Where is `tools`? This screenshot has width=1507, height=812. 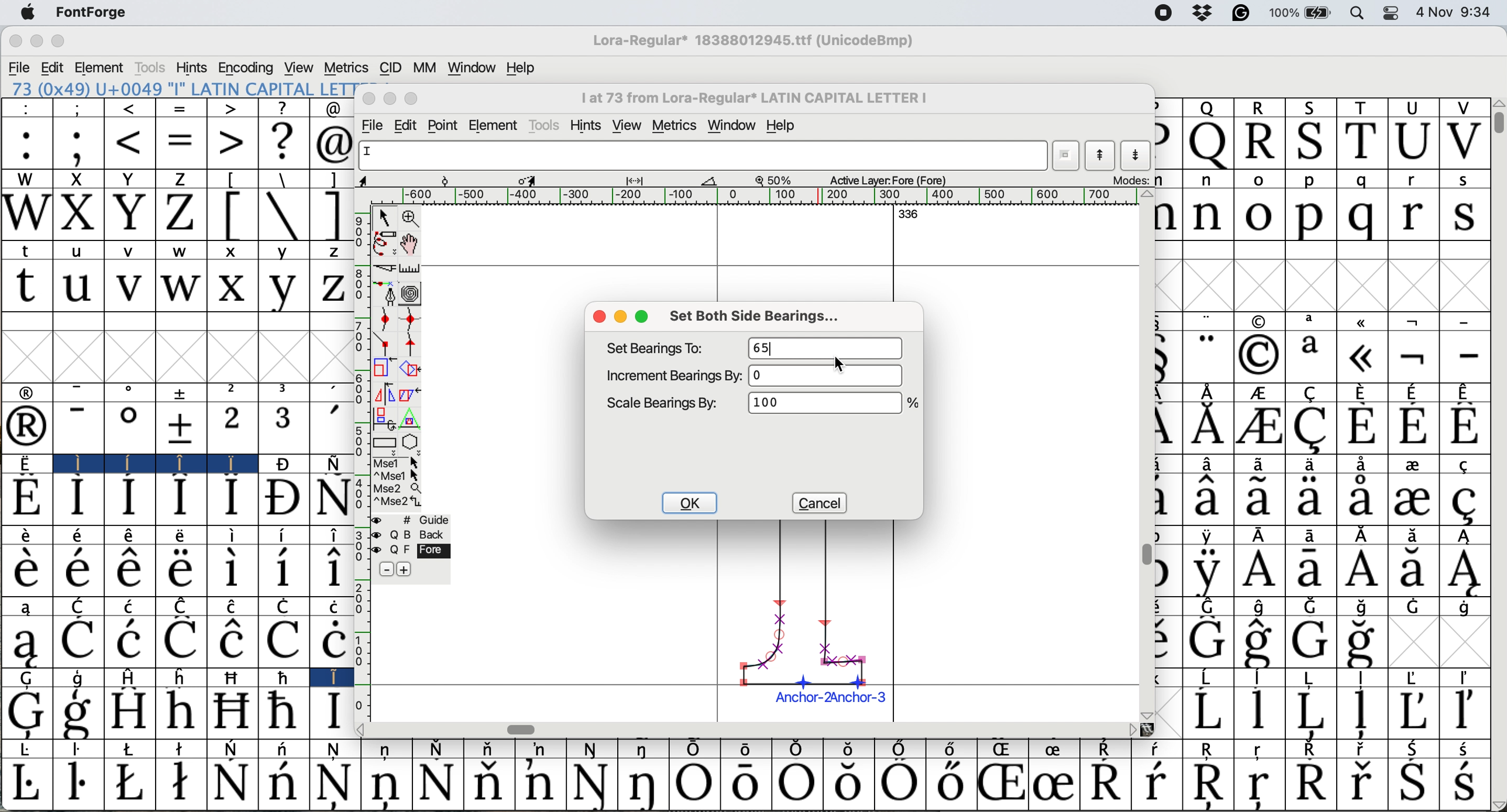
tools is located at coordinates (543, 125).